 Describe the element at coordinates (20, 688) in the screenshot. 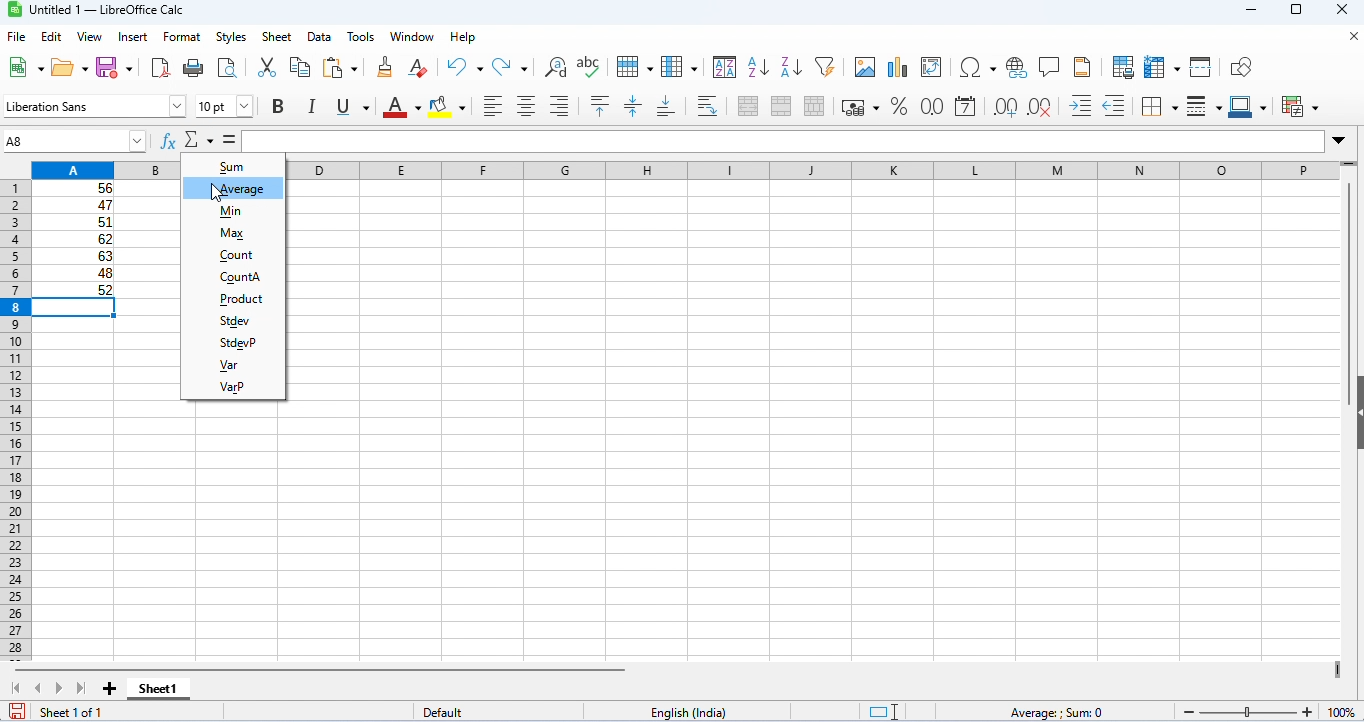

I see `first sheet` at that location.